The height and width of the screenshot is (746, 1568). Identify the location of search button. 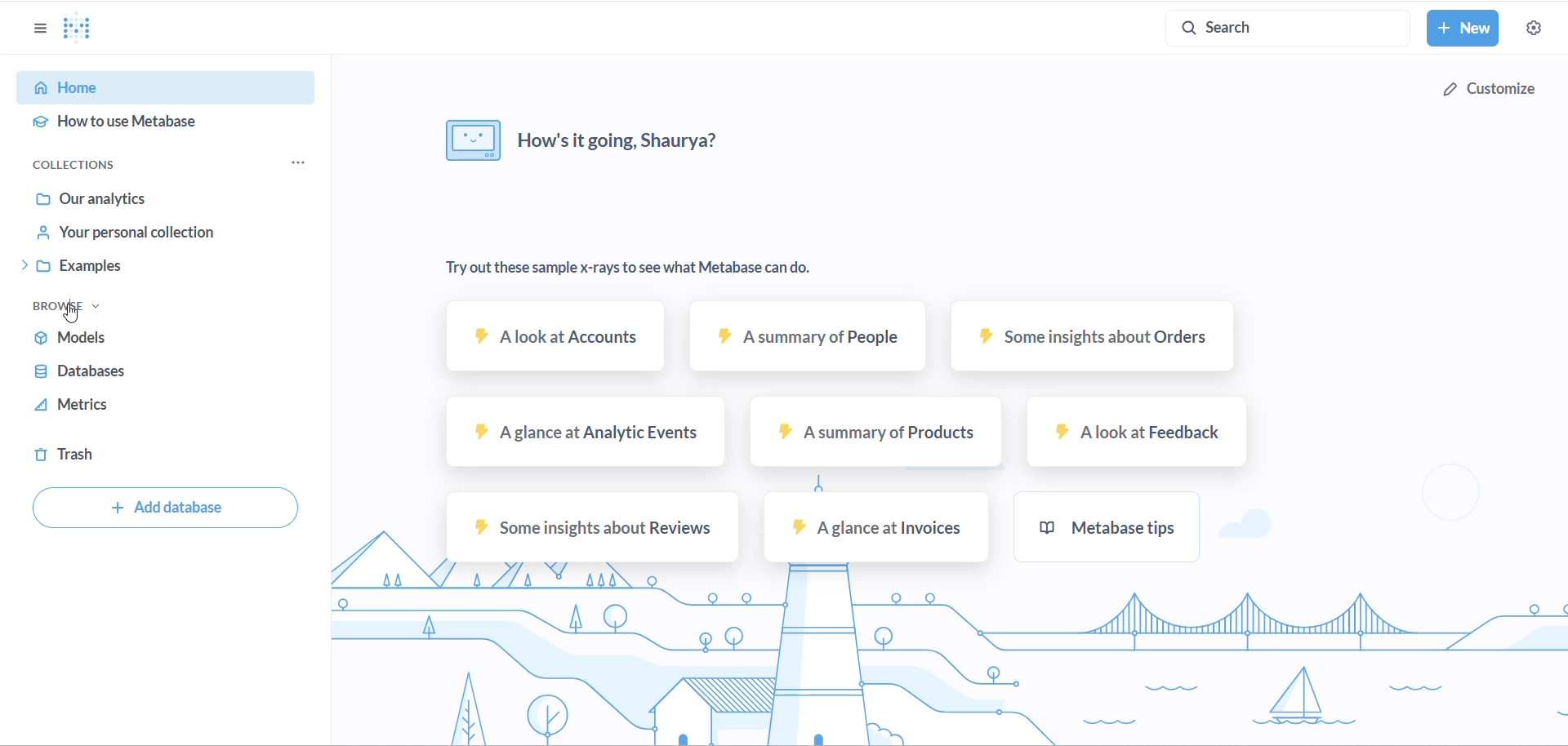
(1285, 28).